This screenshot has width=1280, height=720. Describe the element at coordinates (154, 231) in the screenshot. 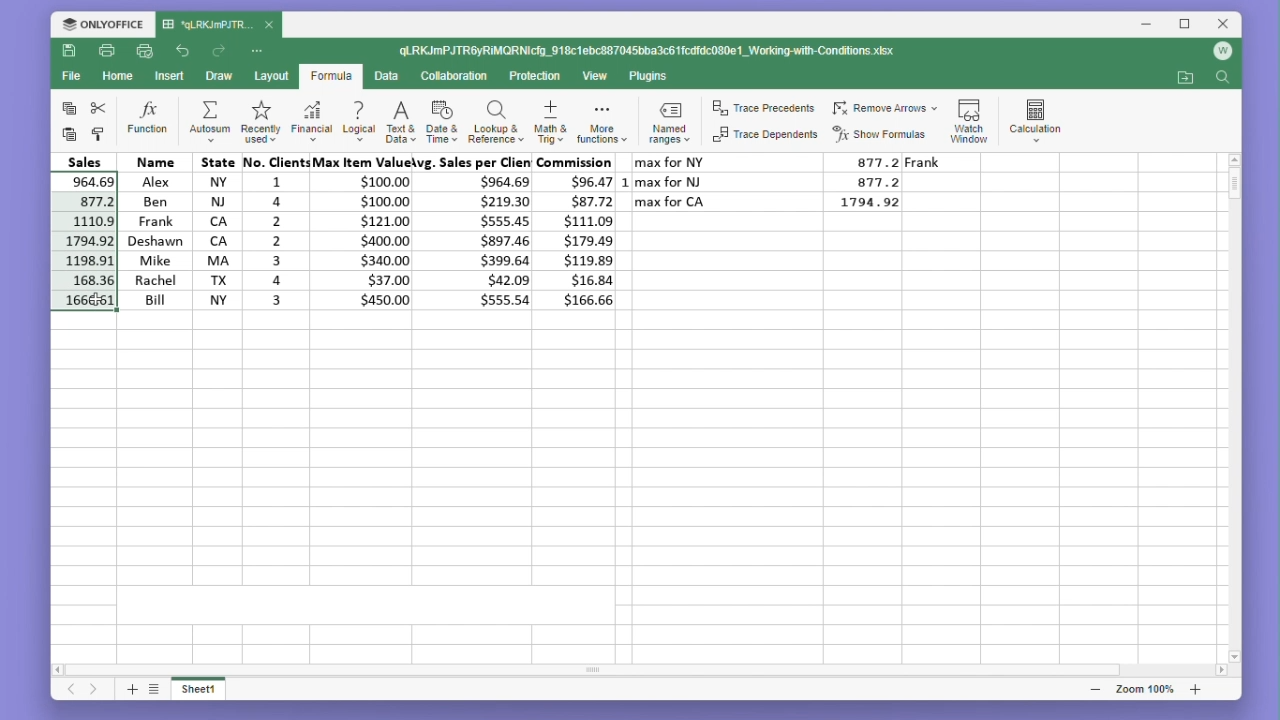

I see `Name Alex Ben Frank deshavn Mike Rache Bill` at that location.